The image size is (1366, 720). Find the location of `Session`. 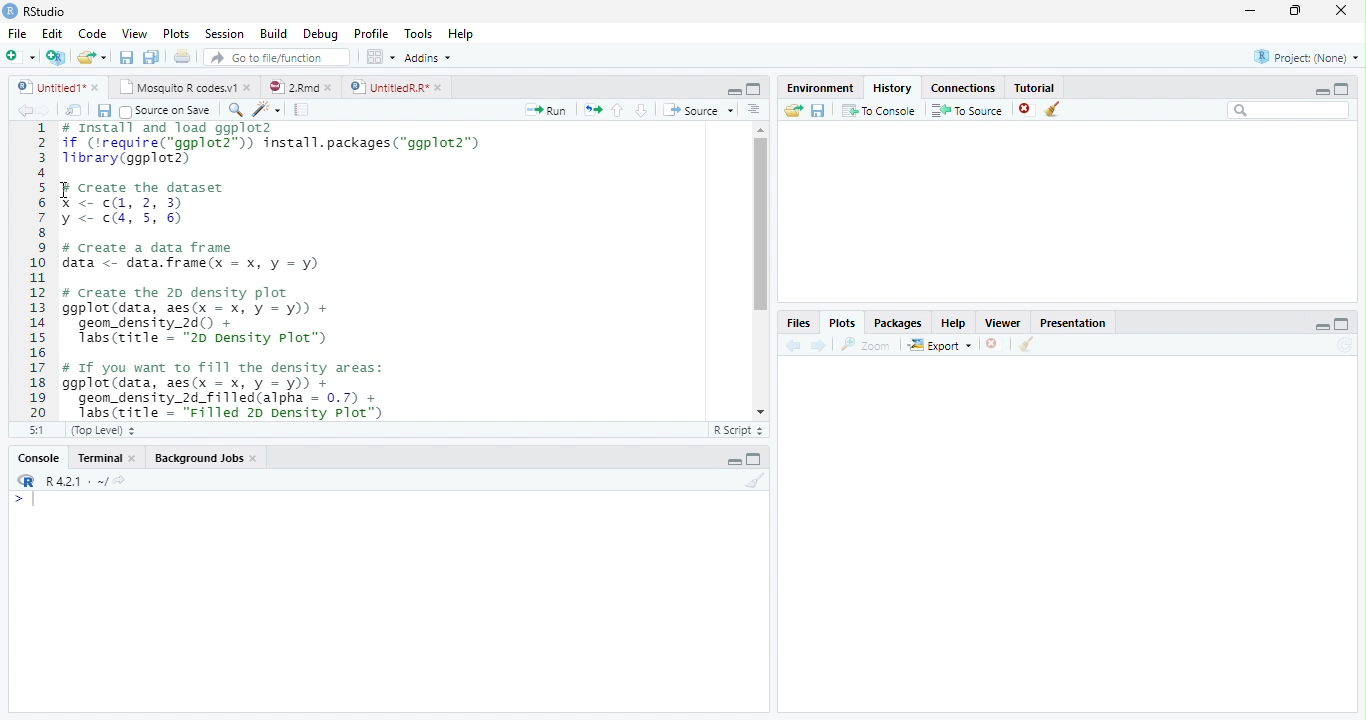

Session is located at coordinates (225, 34).